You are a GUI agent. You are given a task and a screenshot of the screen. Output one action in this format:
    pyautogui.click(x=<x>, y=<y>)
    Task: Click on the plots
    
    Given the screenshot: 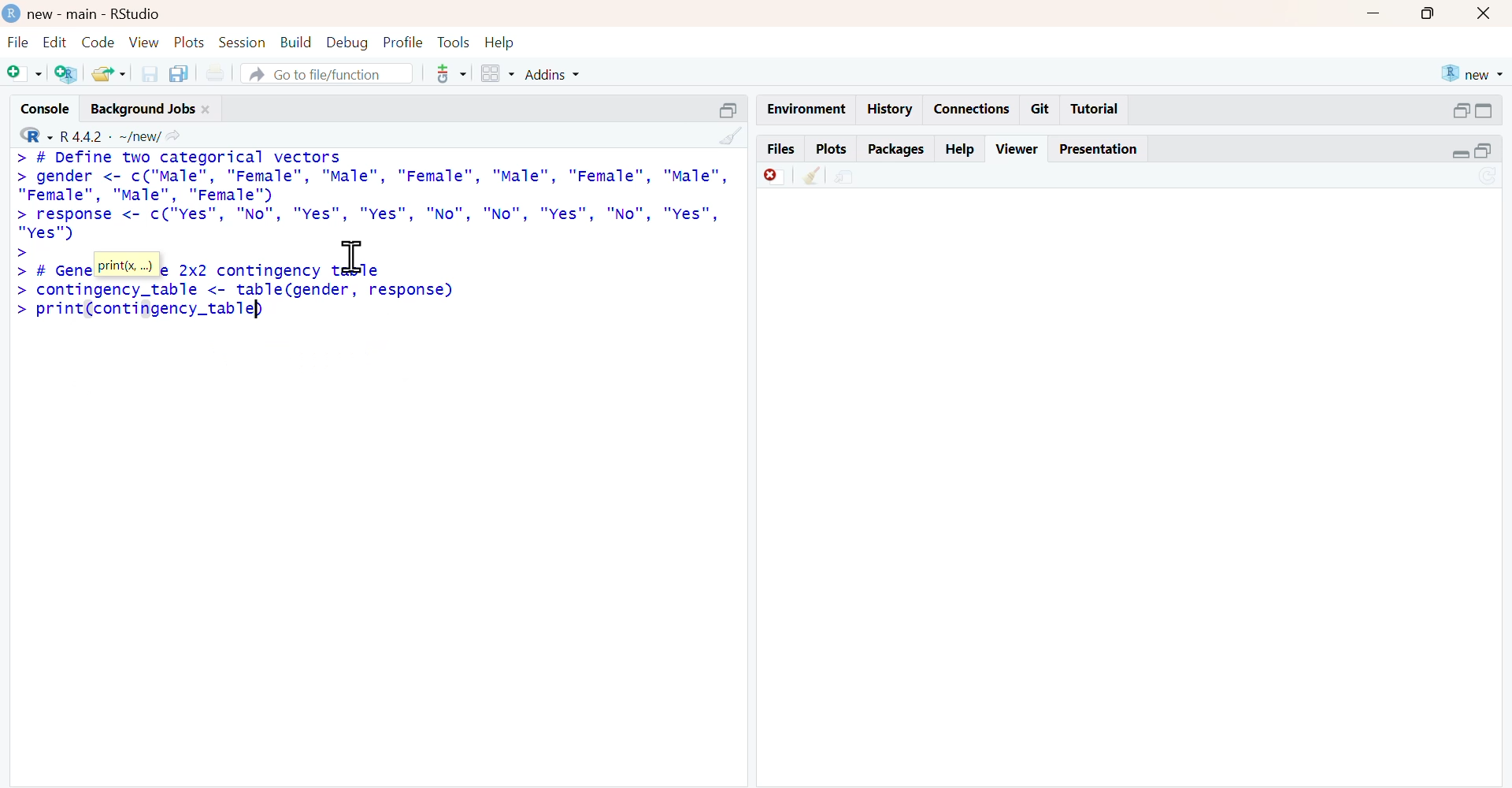 What is the action you would take?
    pyautogui.click(x=191, y=42)
    